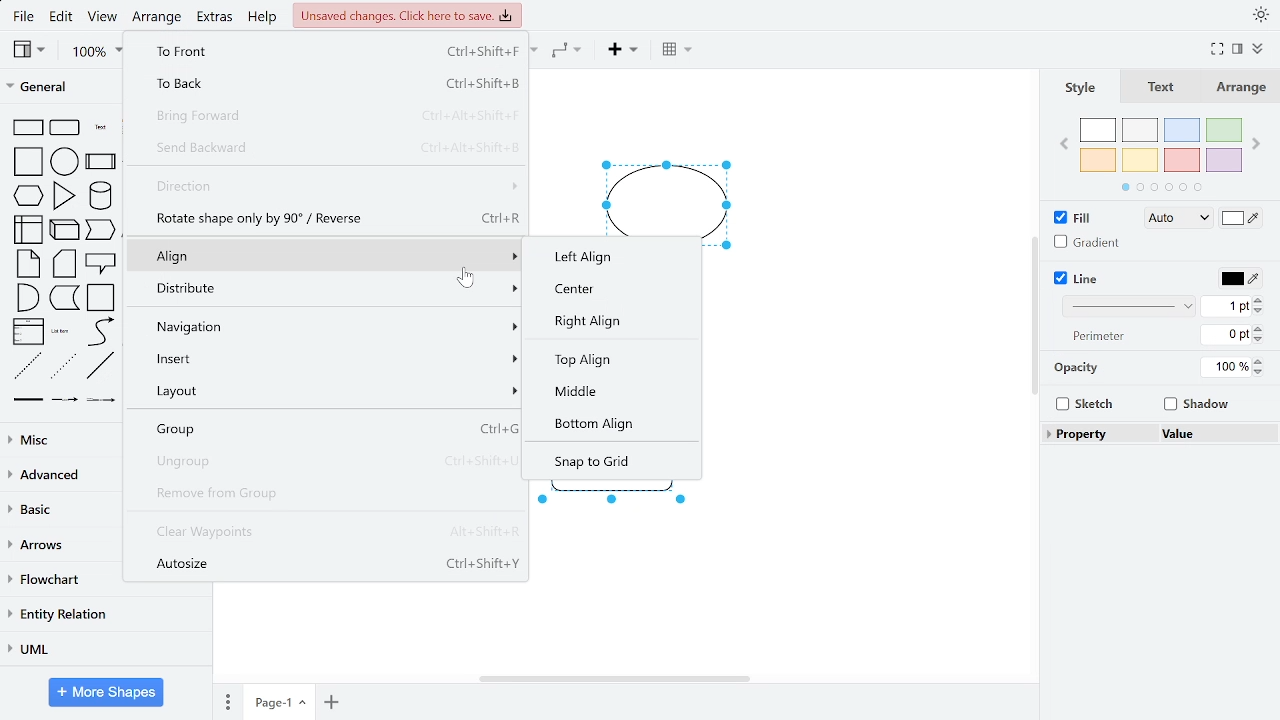 This screenshot has height=720, width=1280. What do you see at coordinates (331, 118) in the screenshot?
I see `Bring forward` at bounding box center [331, 118].